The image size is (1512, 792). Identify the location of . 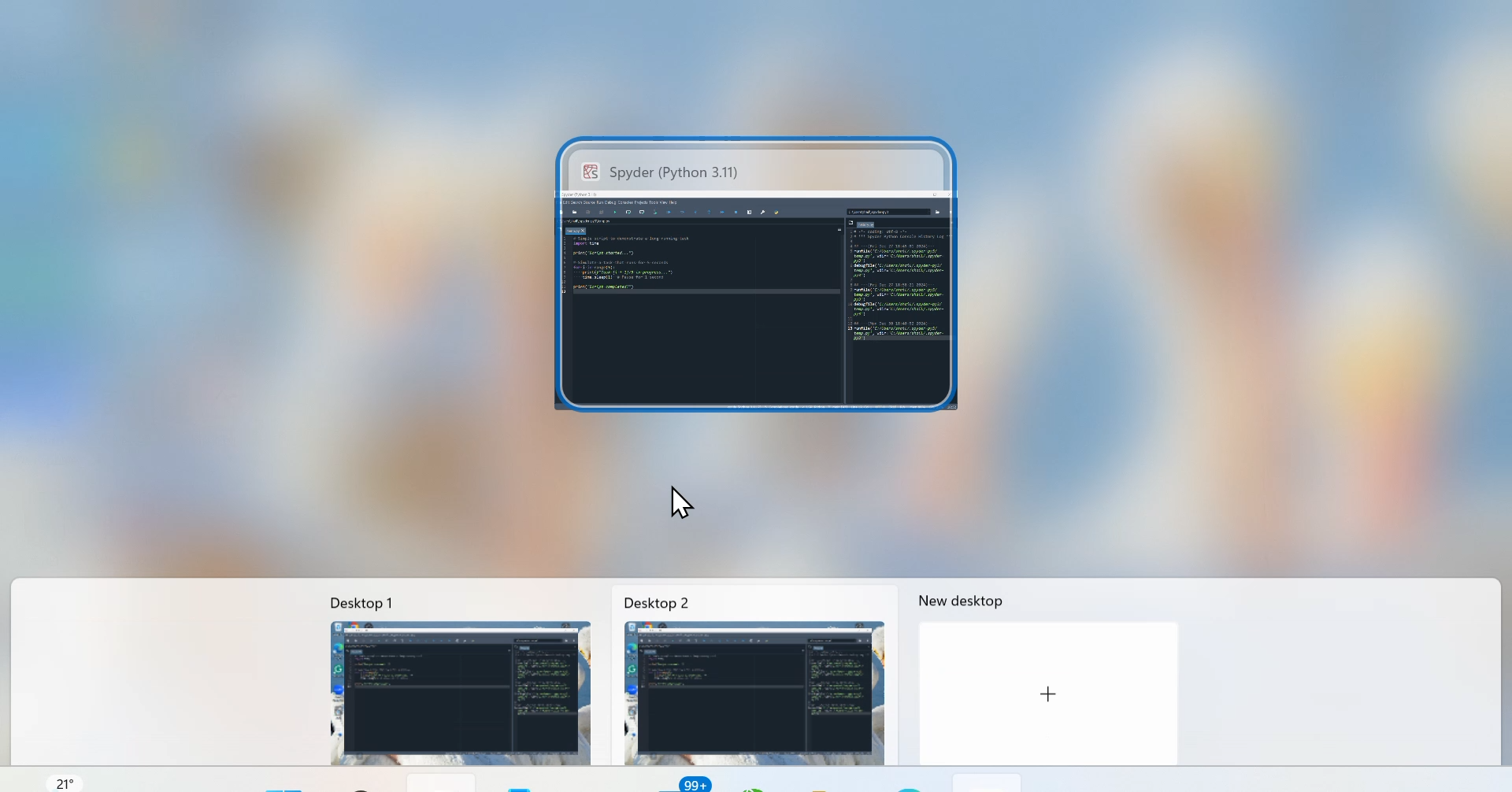
(1043, 696).